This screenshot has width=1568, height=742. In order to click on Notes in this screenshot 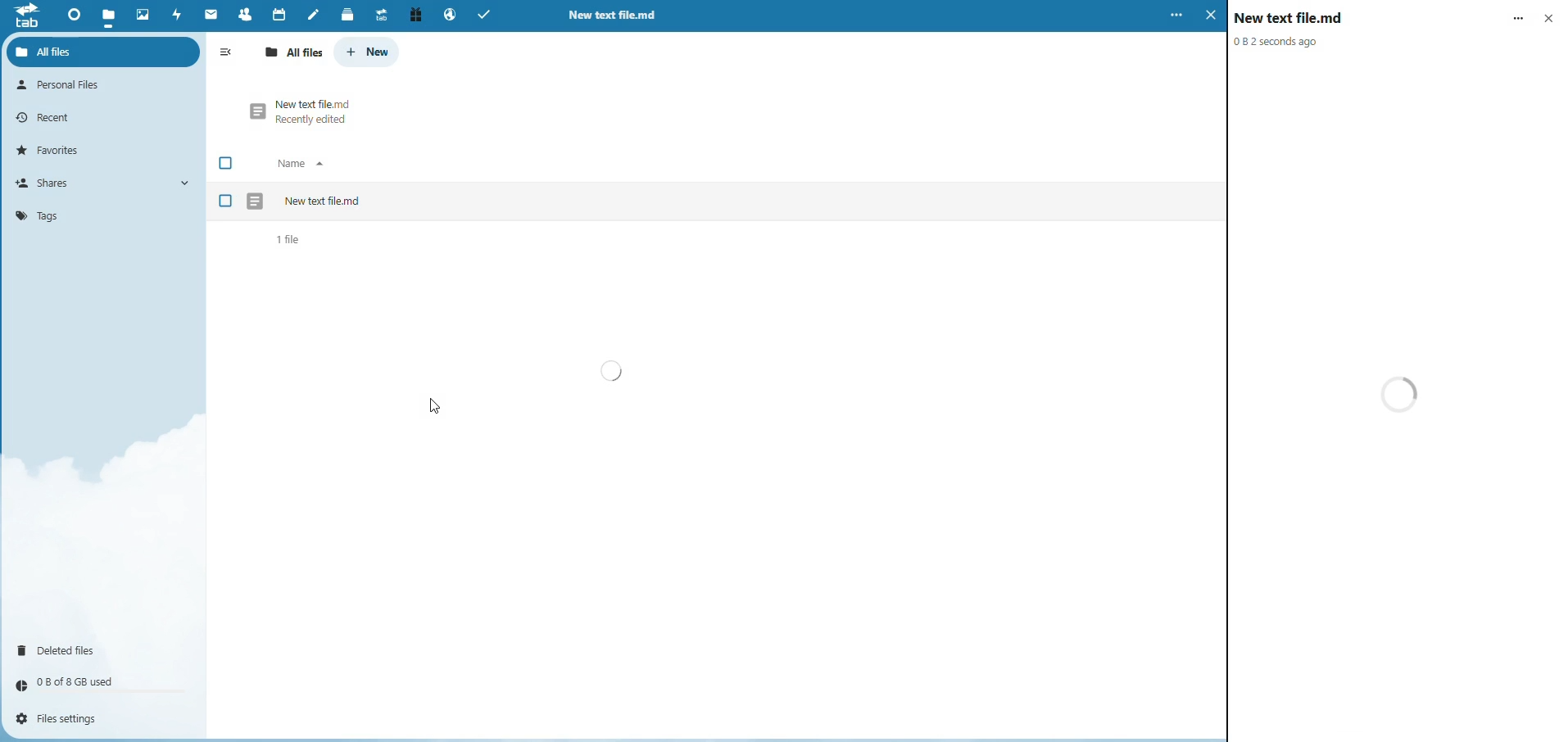, I will do `click(314, 14)`.